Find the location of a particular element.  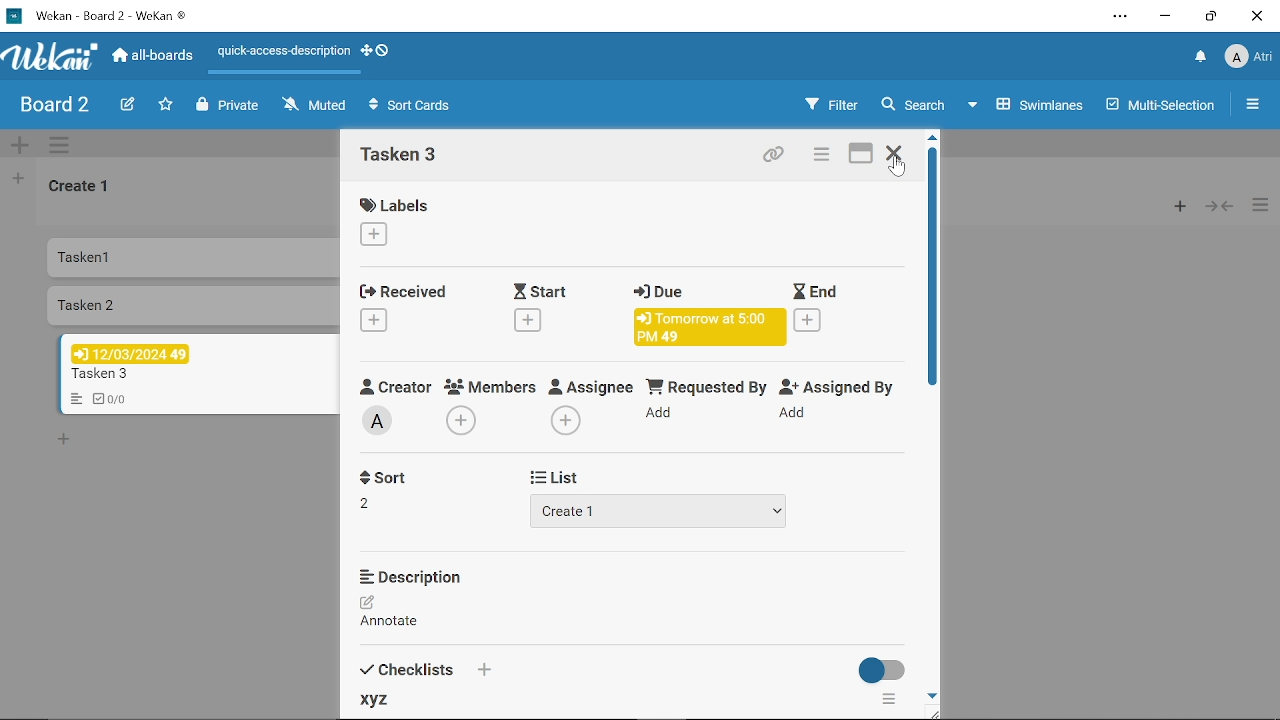

Labels is located at coordinates (392, 204).